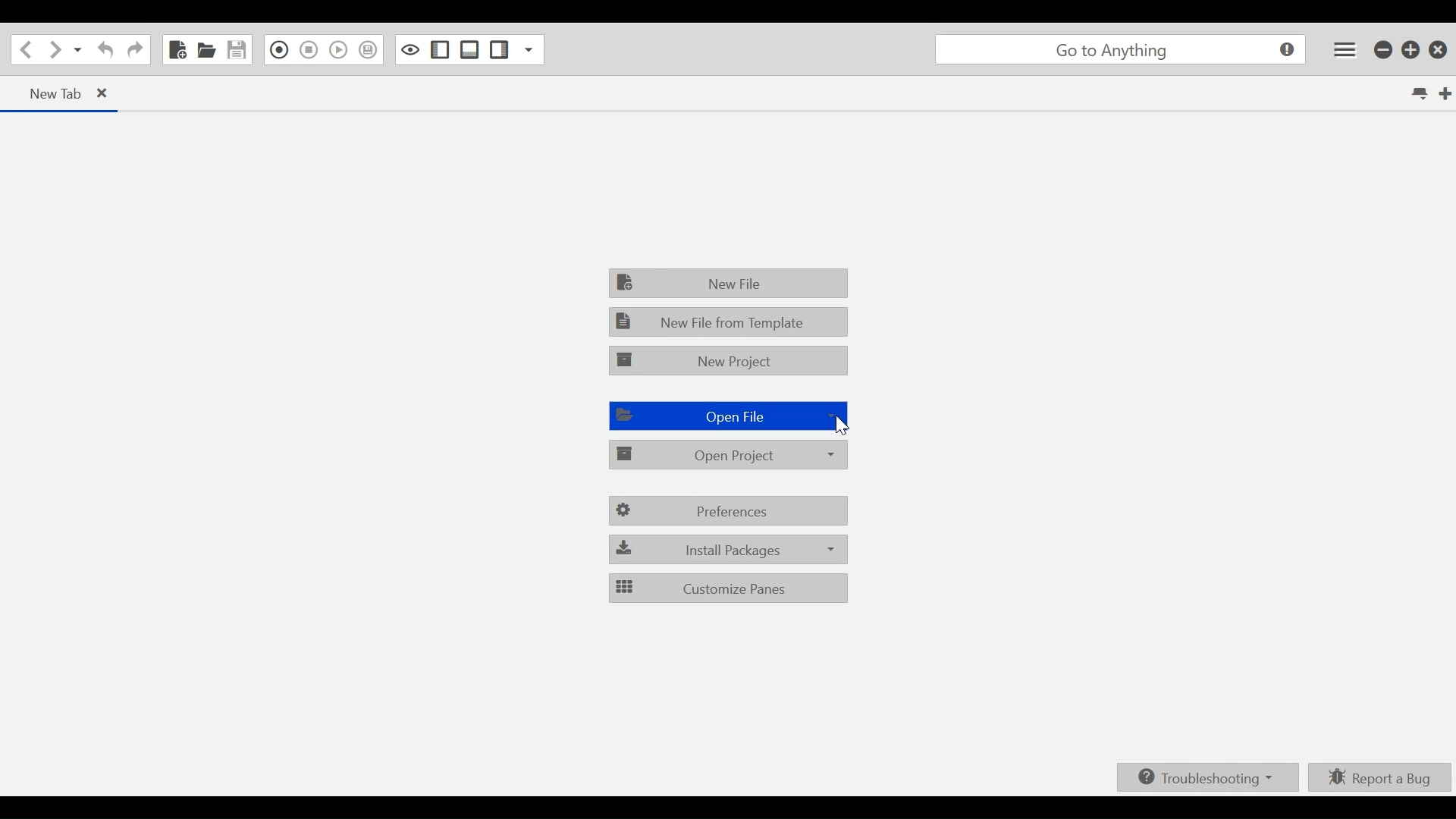 This screenshot has height=819, width=1456. I want to click on Close, so click(1437, 49).